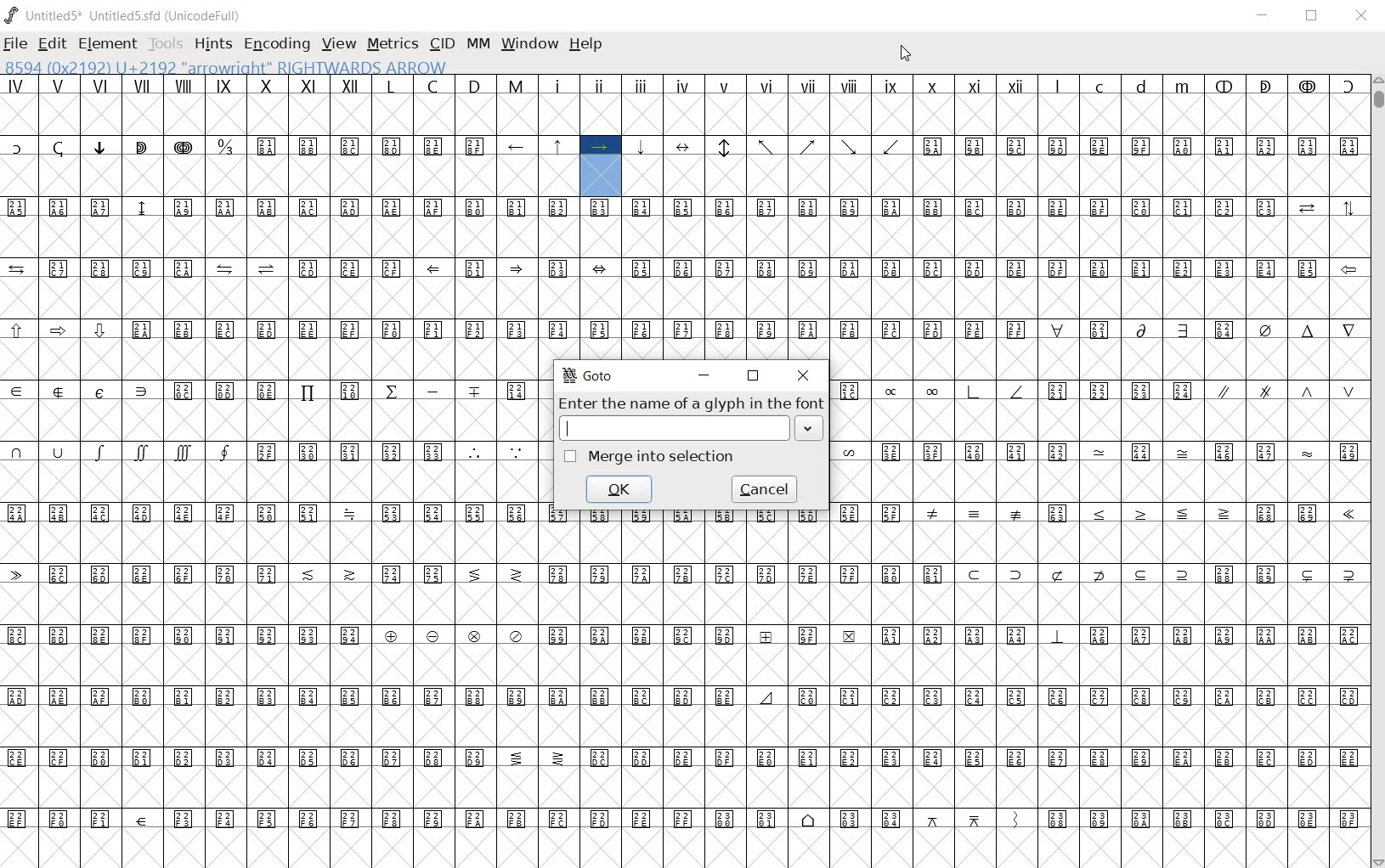  Describe the element at coordinates (755, 376) in the screenshot. I see `restore` at that location.